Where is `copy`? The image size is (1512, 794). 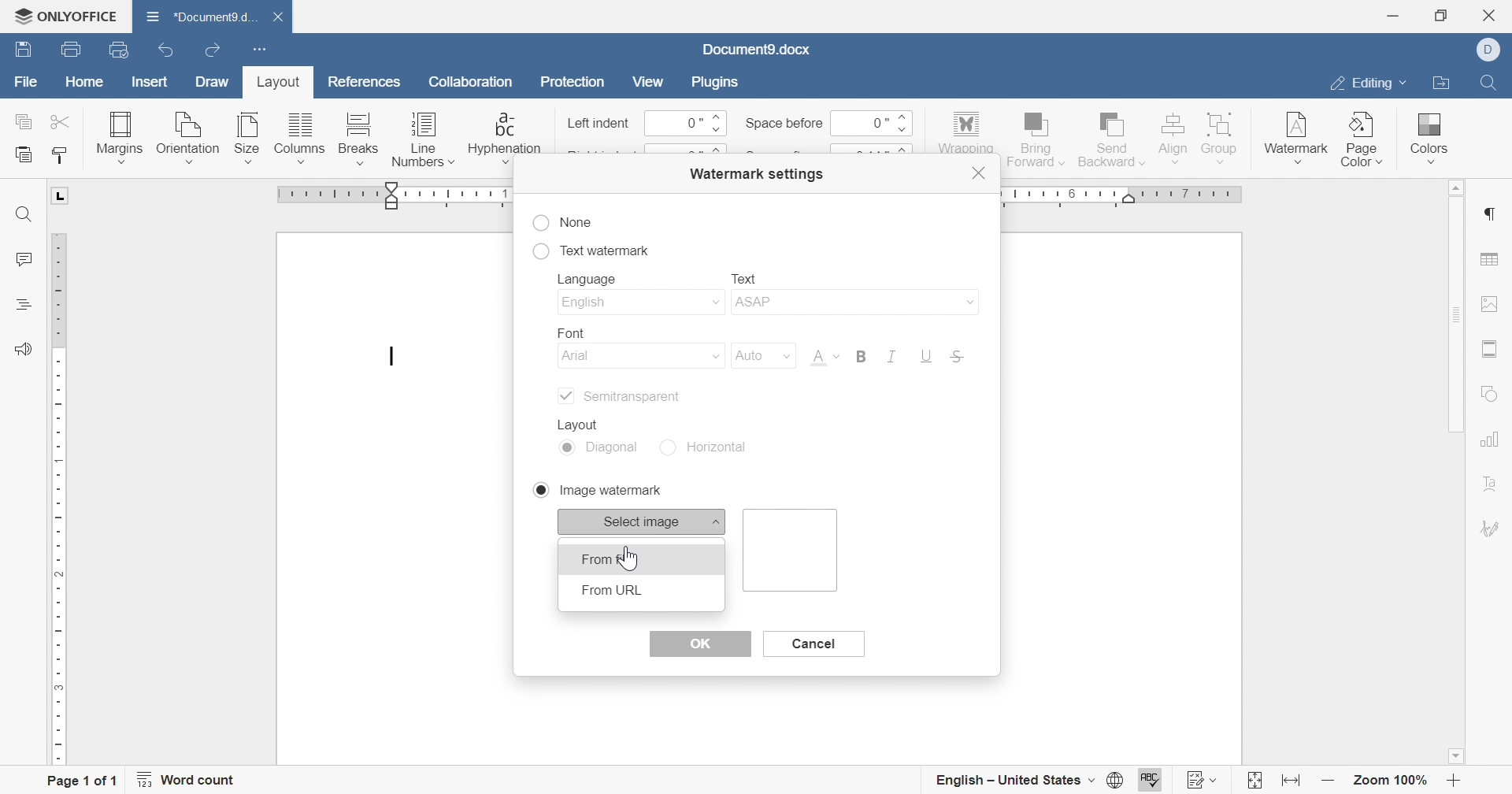 copy is located at coordinates (24, 121).